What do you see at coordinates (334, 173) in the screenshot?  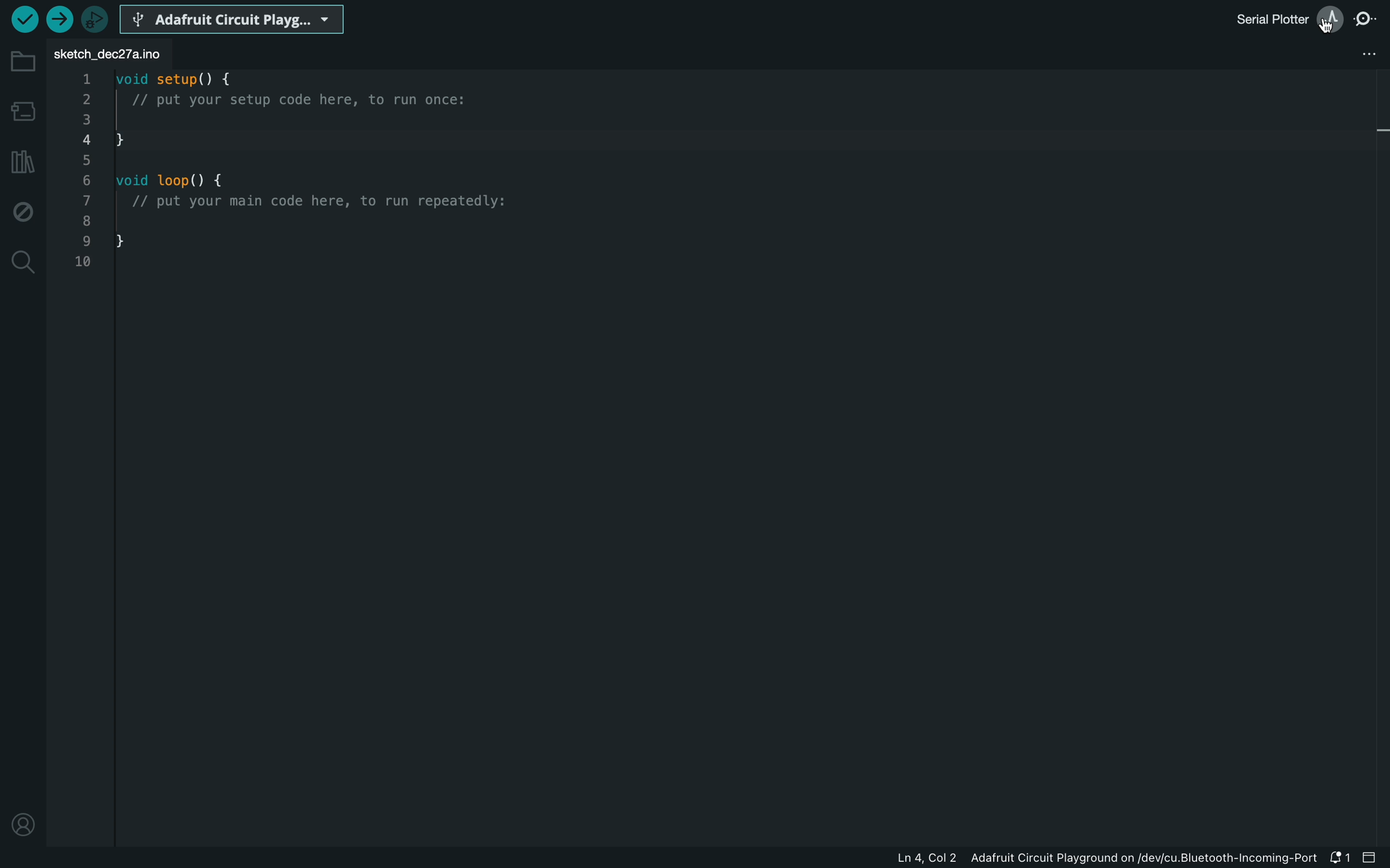 I see `code` at bounding box center [334, 173].